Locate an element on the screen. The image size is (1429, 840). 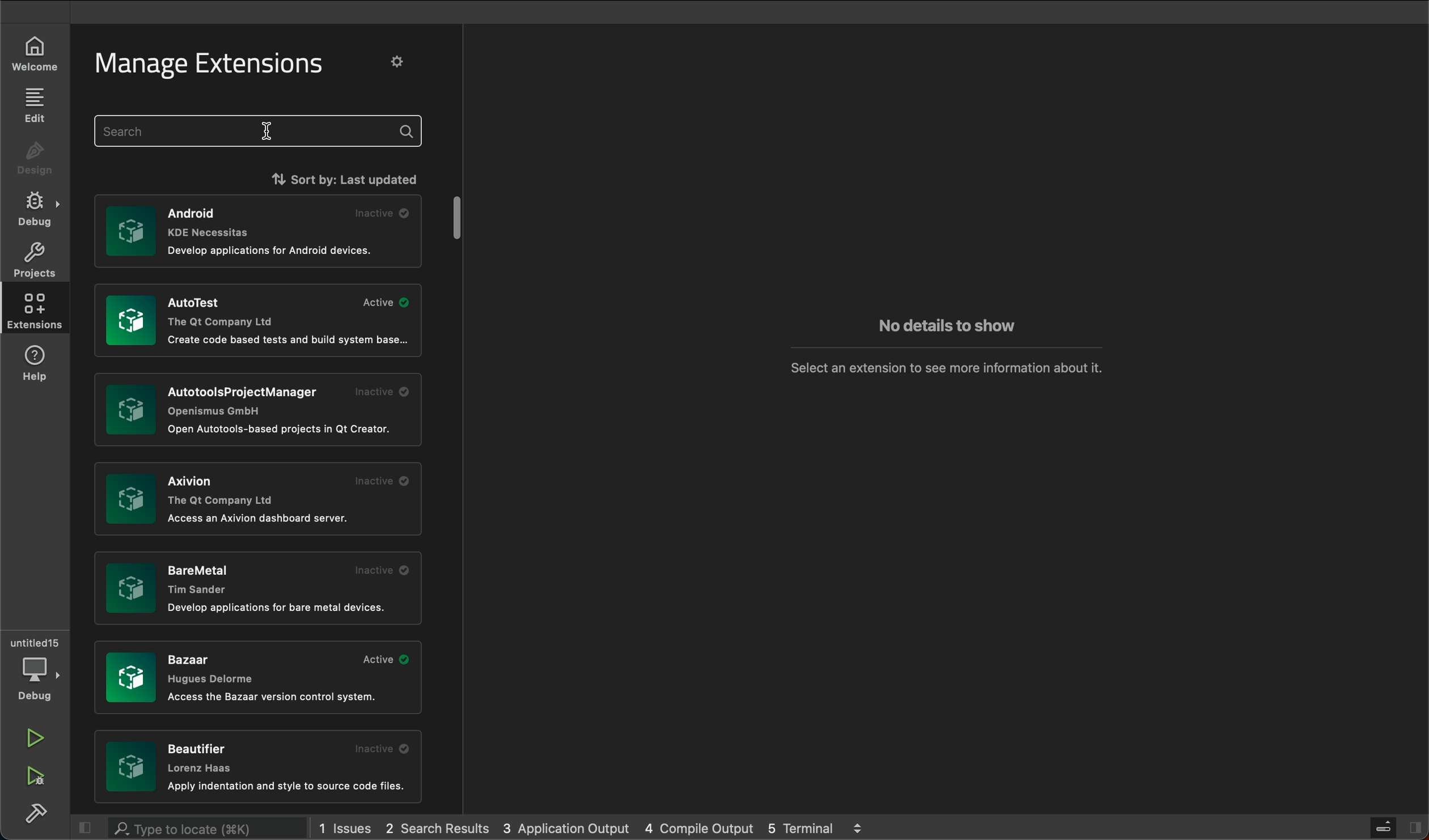
extension text is located at coordinates (290, 340).